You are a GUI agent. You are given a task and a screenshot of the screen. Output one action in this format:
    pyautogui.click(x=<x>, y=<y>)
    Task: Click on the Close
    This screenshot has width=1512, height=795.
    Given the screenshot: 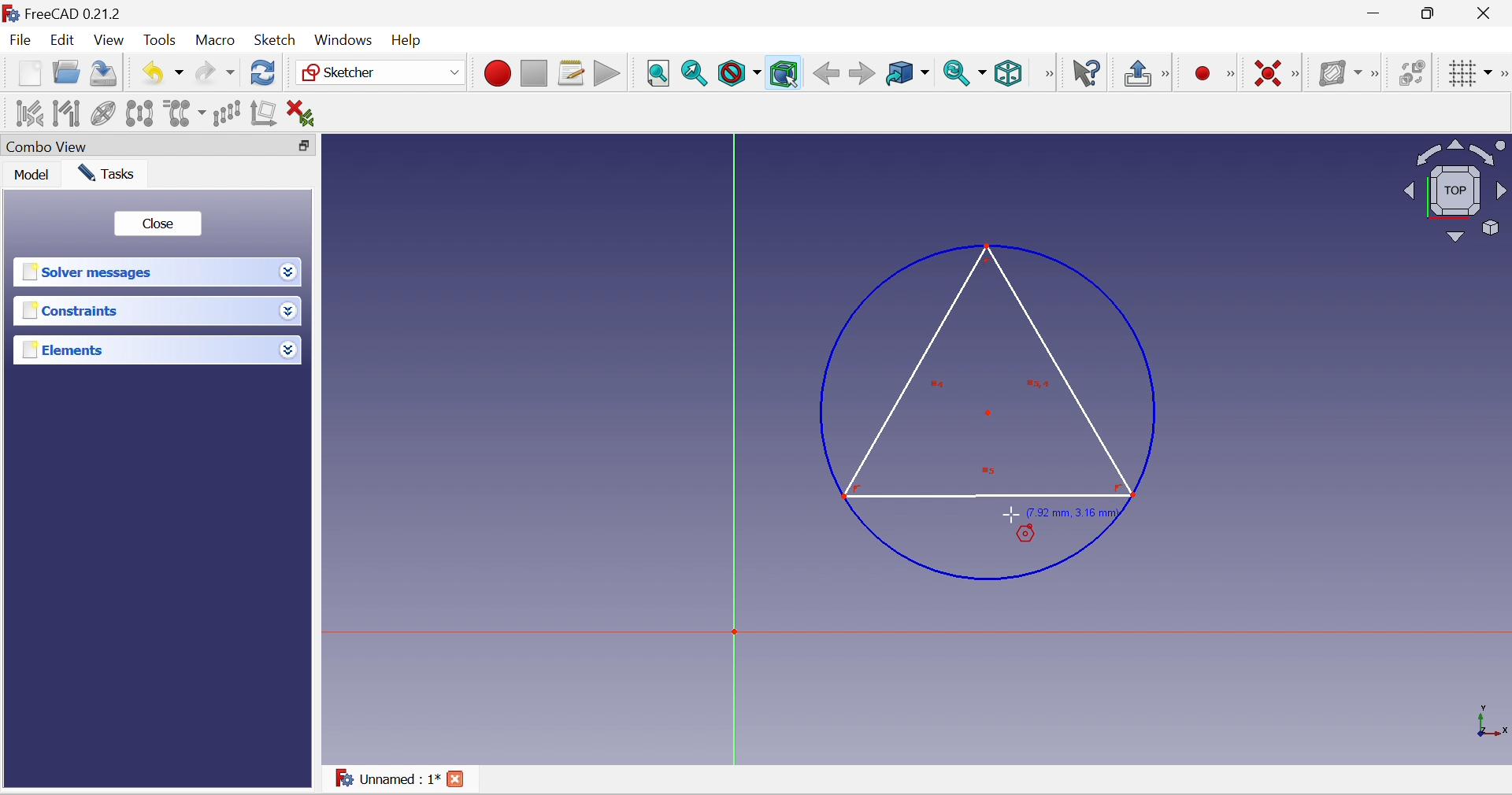 What is the action you would take?
    pyautogui.click(x=1488, y=12)
    